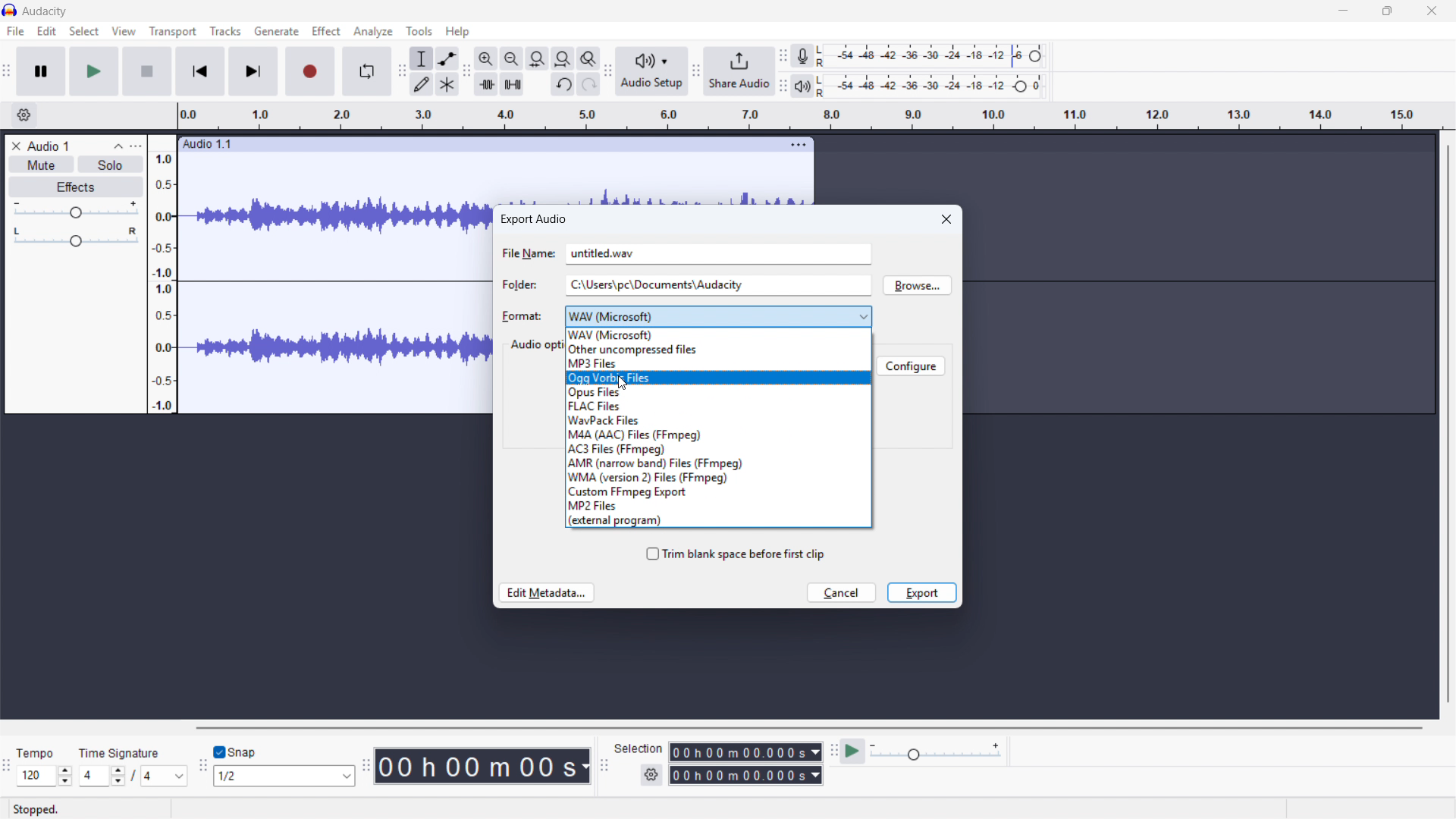  I want to click on Multi - tool , so click(447, 84).